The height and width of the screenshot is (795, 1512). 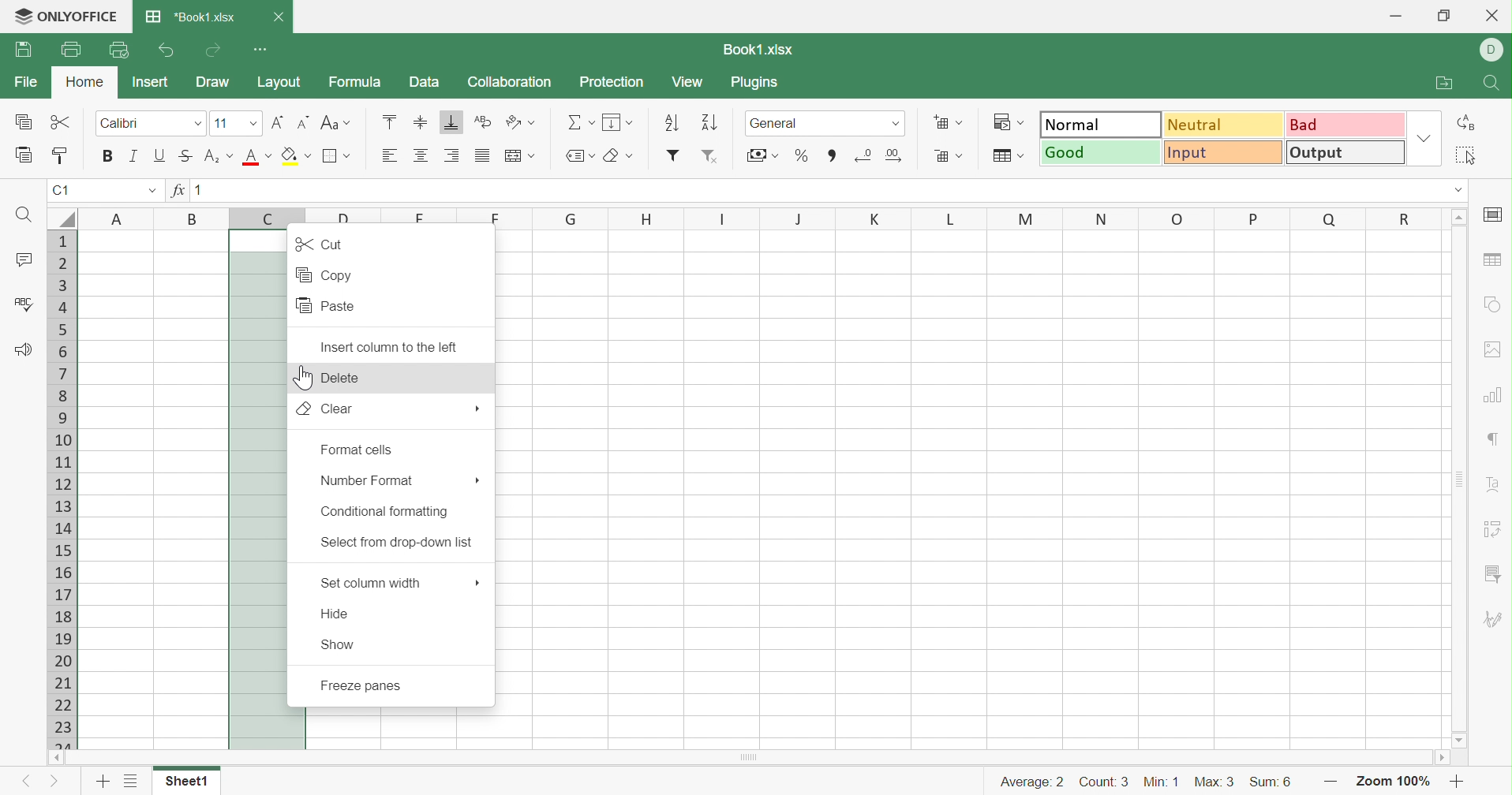 I want to click on More, so click(x=478, y=480).